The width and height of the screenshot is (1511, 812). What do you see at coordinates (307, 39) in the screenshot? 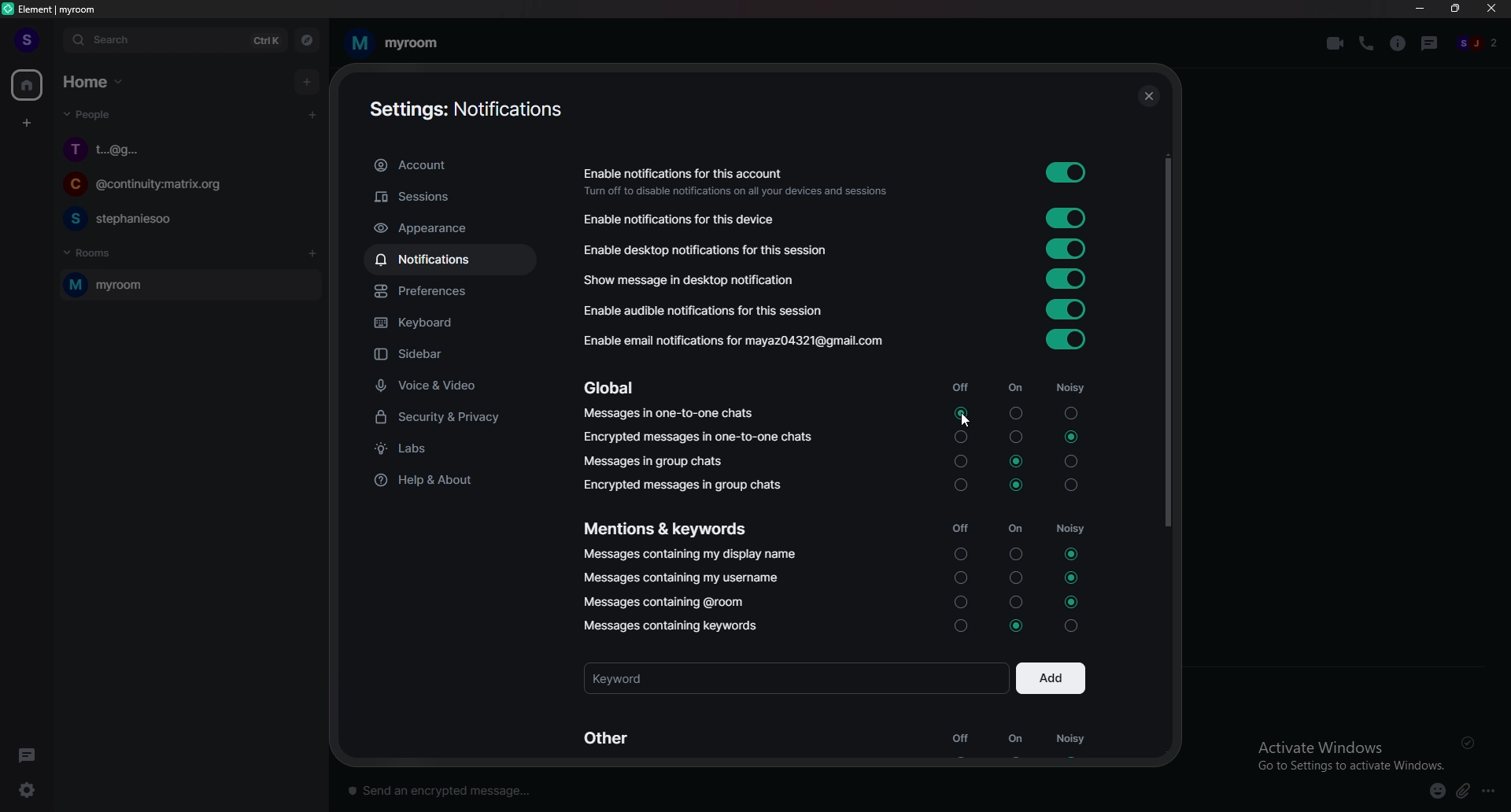
I see `explore` at bounding box center [307, 39].